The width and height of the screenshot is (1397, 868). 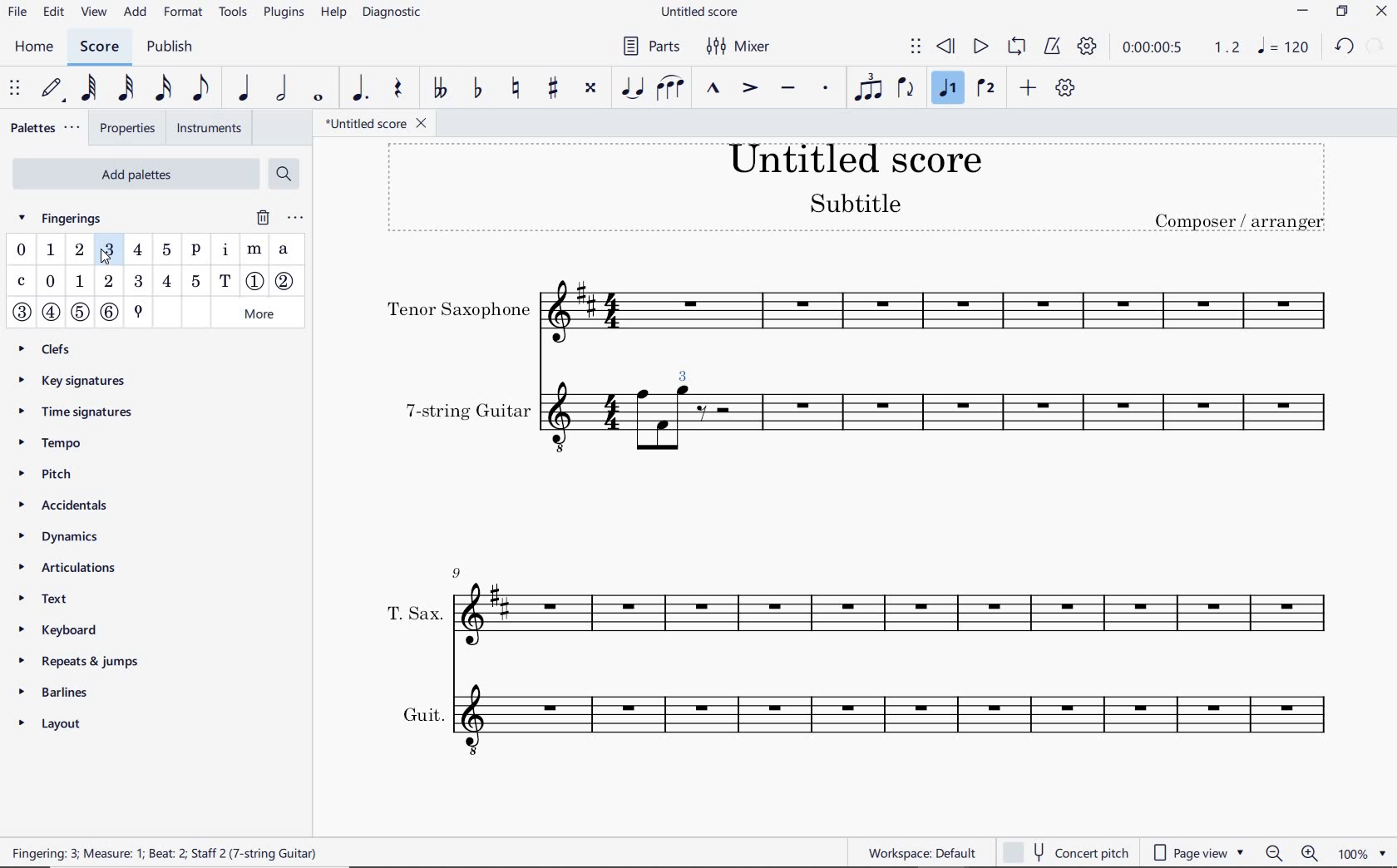 I want to click on ACCIDENTALS, so click(x=76, y=507).